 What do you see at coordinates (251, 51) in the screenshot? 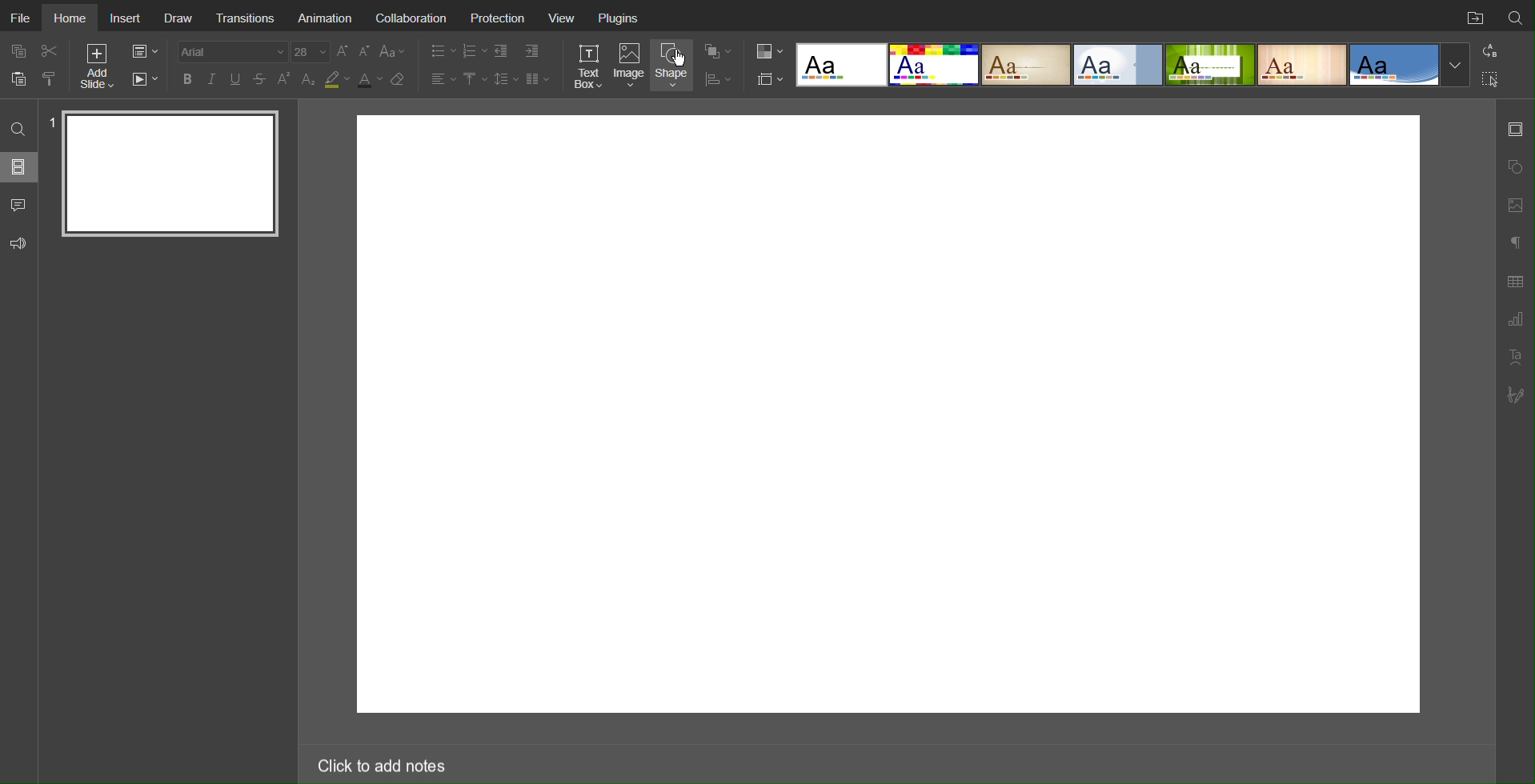
I see `Font Settings` at bounding box center [251, 51].